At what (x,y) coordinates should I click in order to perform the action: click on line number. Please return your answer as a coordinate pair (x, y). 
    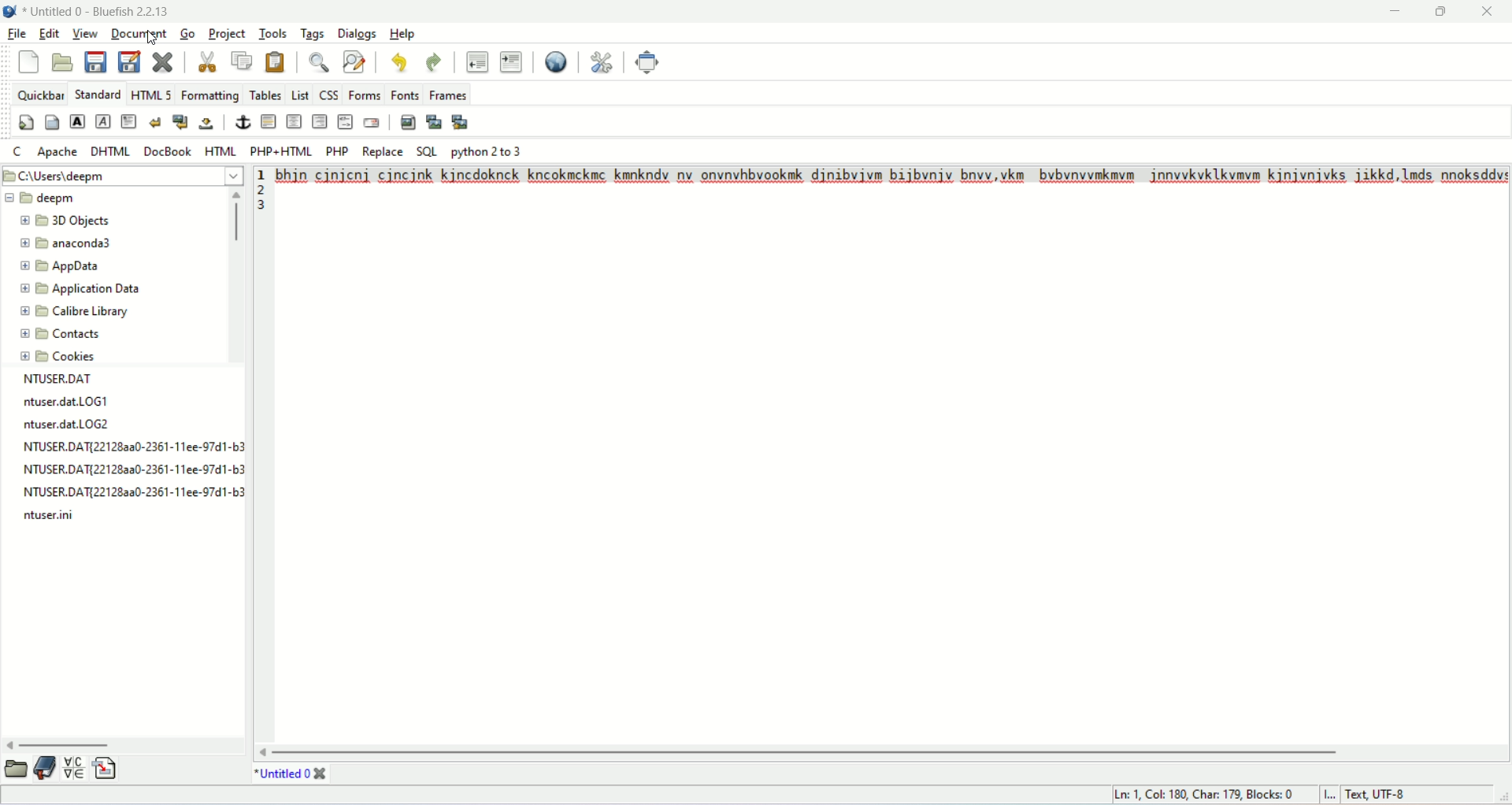
    Looking at the image, I should click on (261, 196).